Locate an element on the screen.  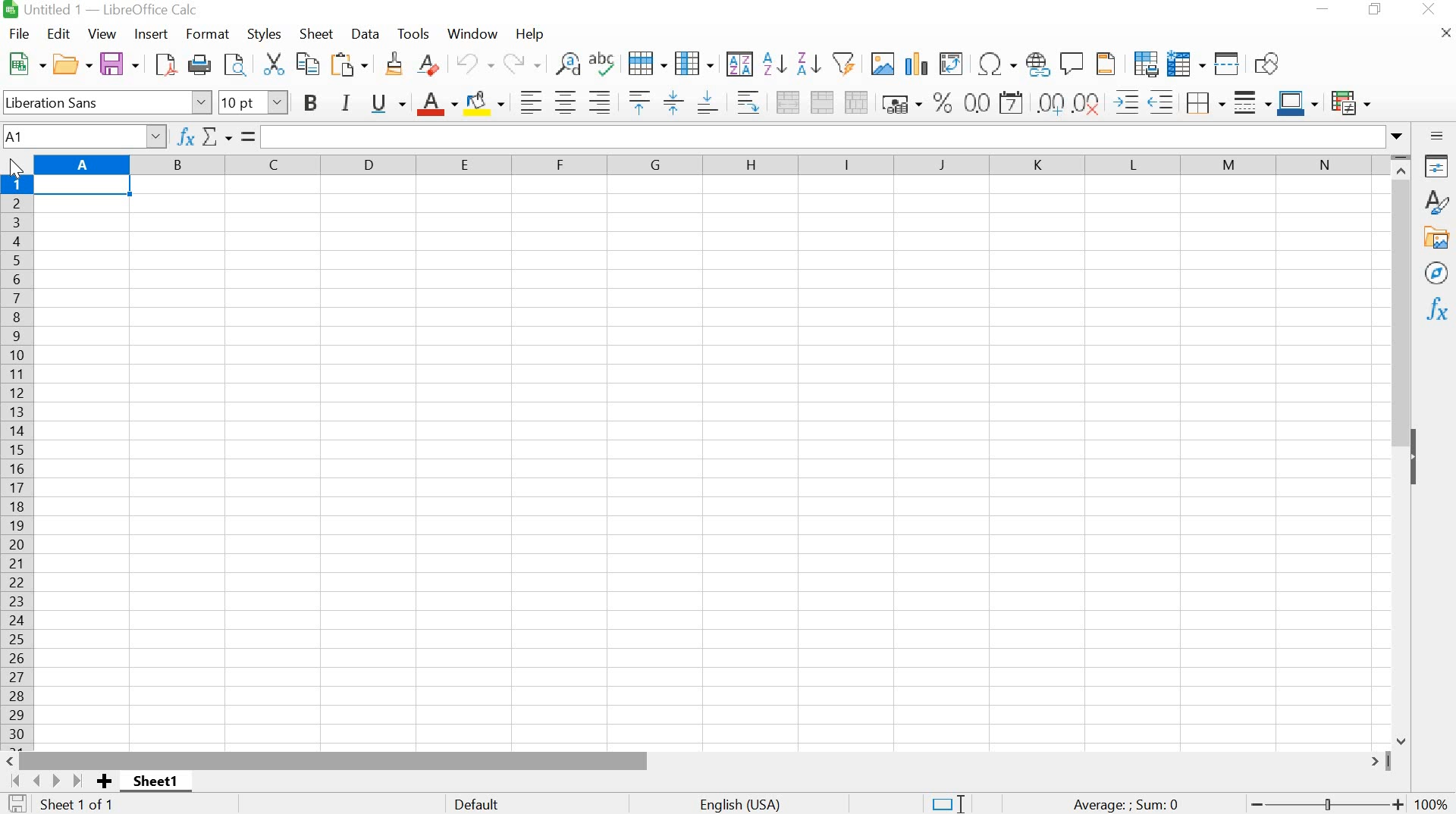
Format as numaber is located at coordinates (977, 102).